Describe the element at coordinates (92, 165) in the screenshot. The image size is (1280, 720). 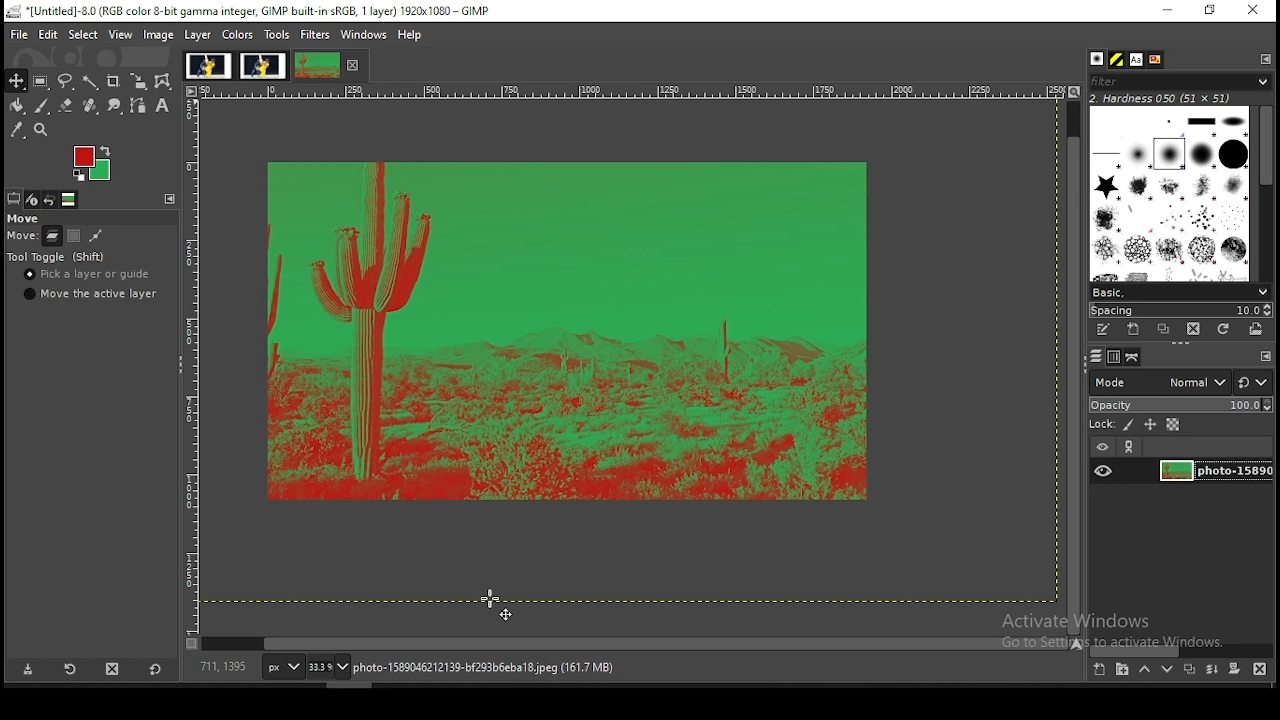
I see `image` at that location.